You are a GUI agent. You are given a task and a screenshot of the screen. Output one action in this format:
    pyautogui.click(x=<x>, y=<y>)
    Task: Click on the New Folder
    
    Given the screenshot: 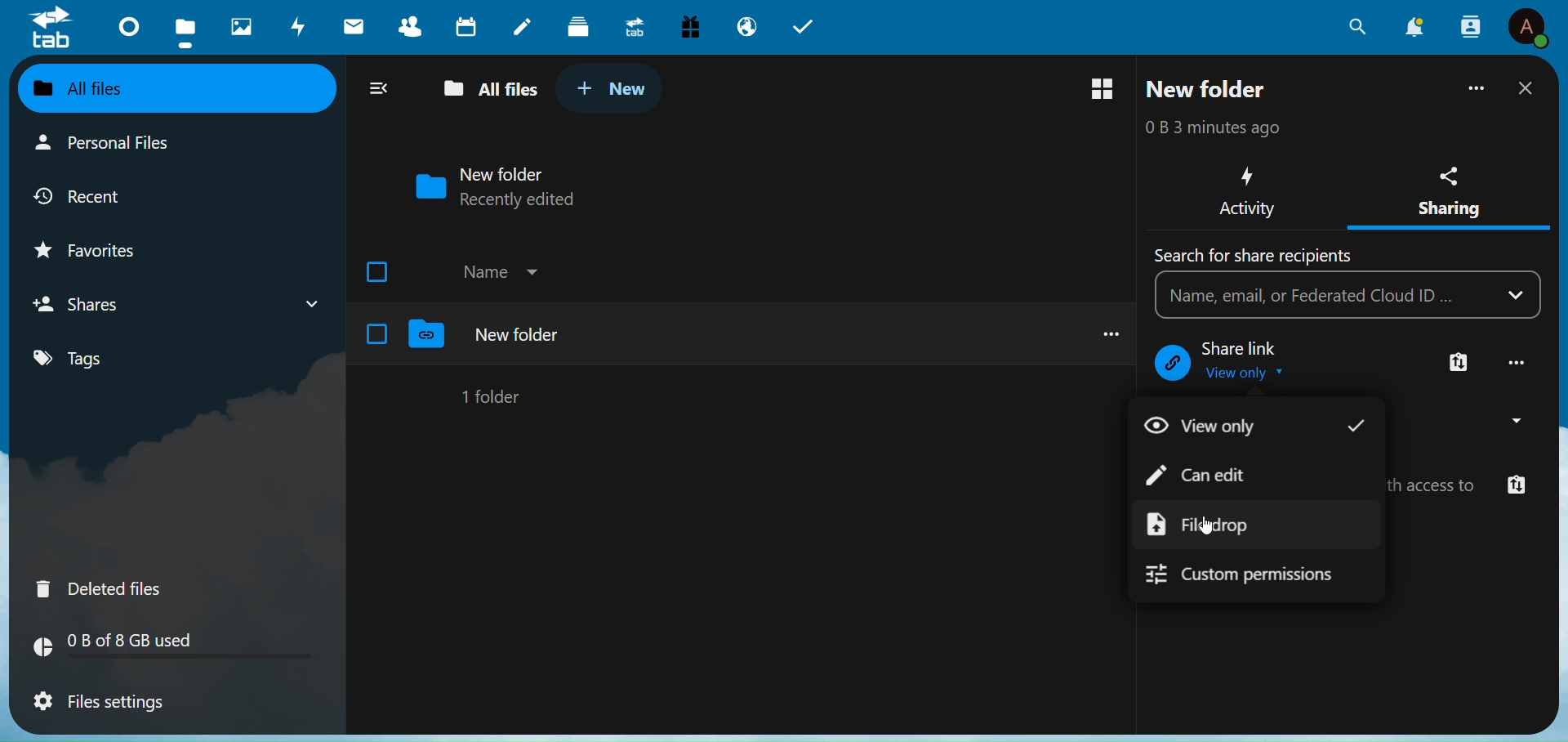 What is the action you would take?
    pyautogui.click(x=506, y=172)
    